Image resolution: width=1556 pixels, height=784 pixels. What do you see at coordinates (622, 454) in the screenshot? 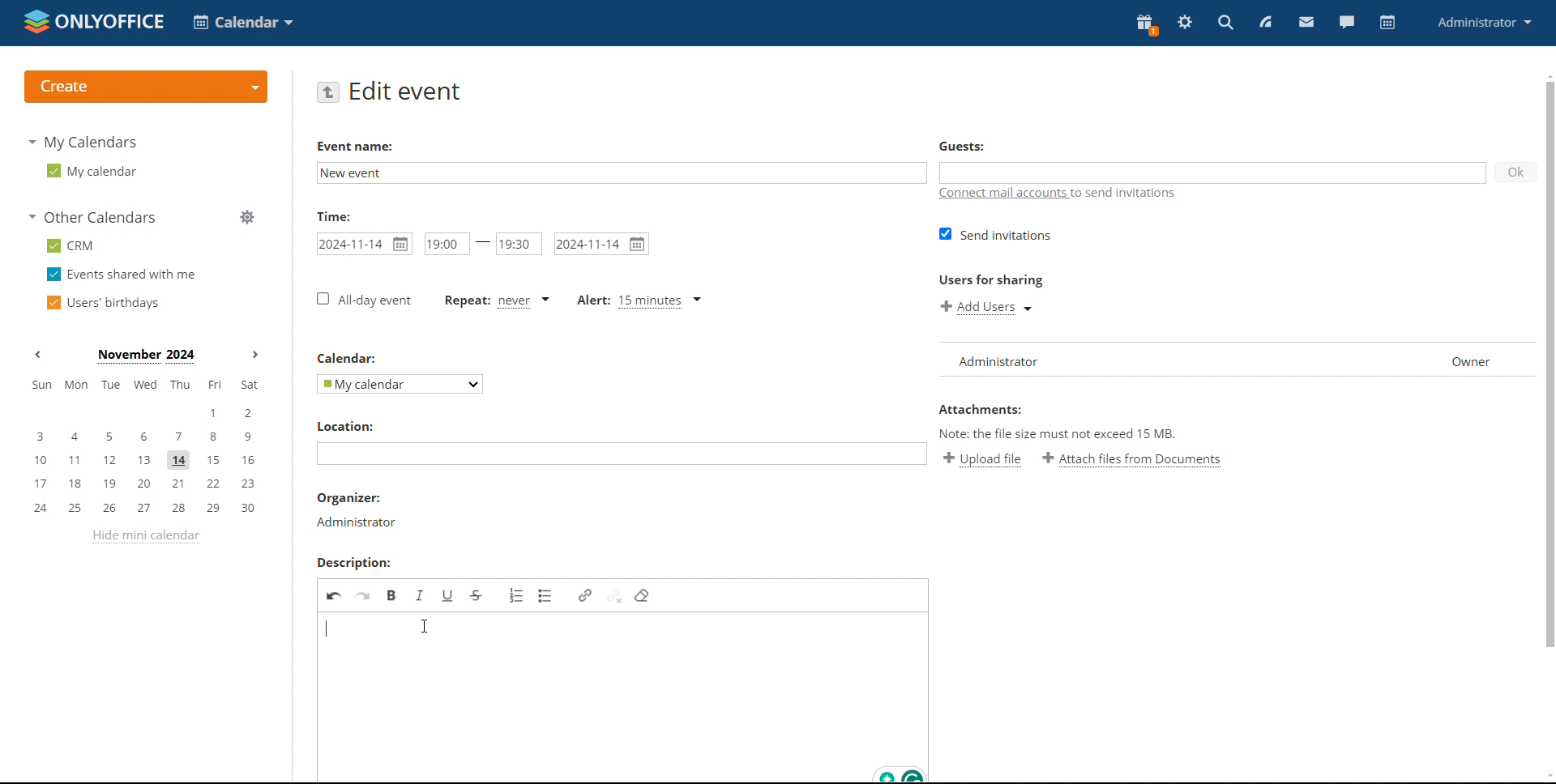
I see `add location` at bounding box center [622, 454].